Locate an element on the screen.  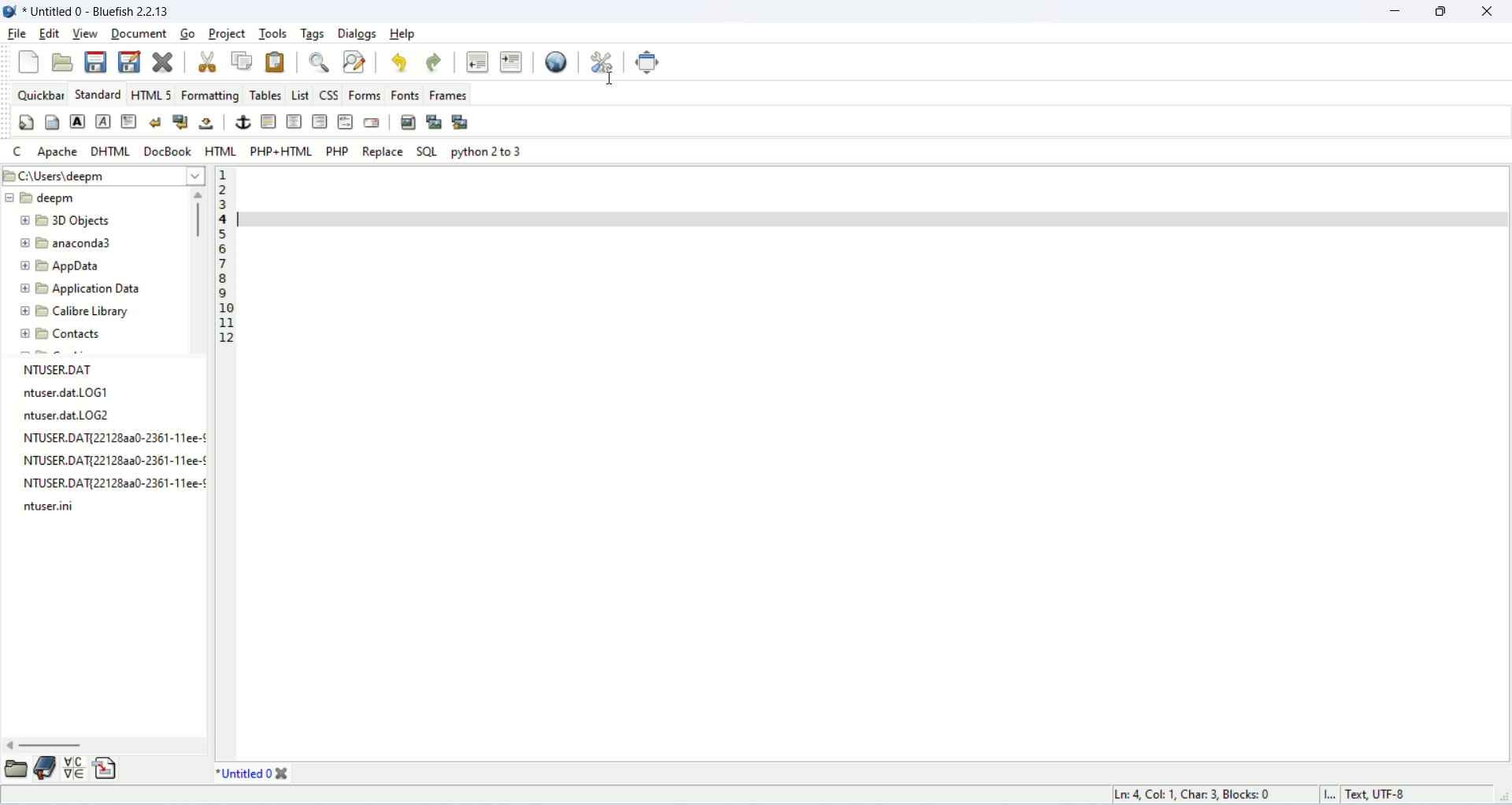
forms is located at coordinates (365, 93).